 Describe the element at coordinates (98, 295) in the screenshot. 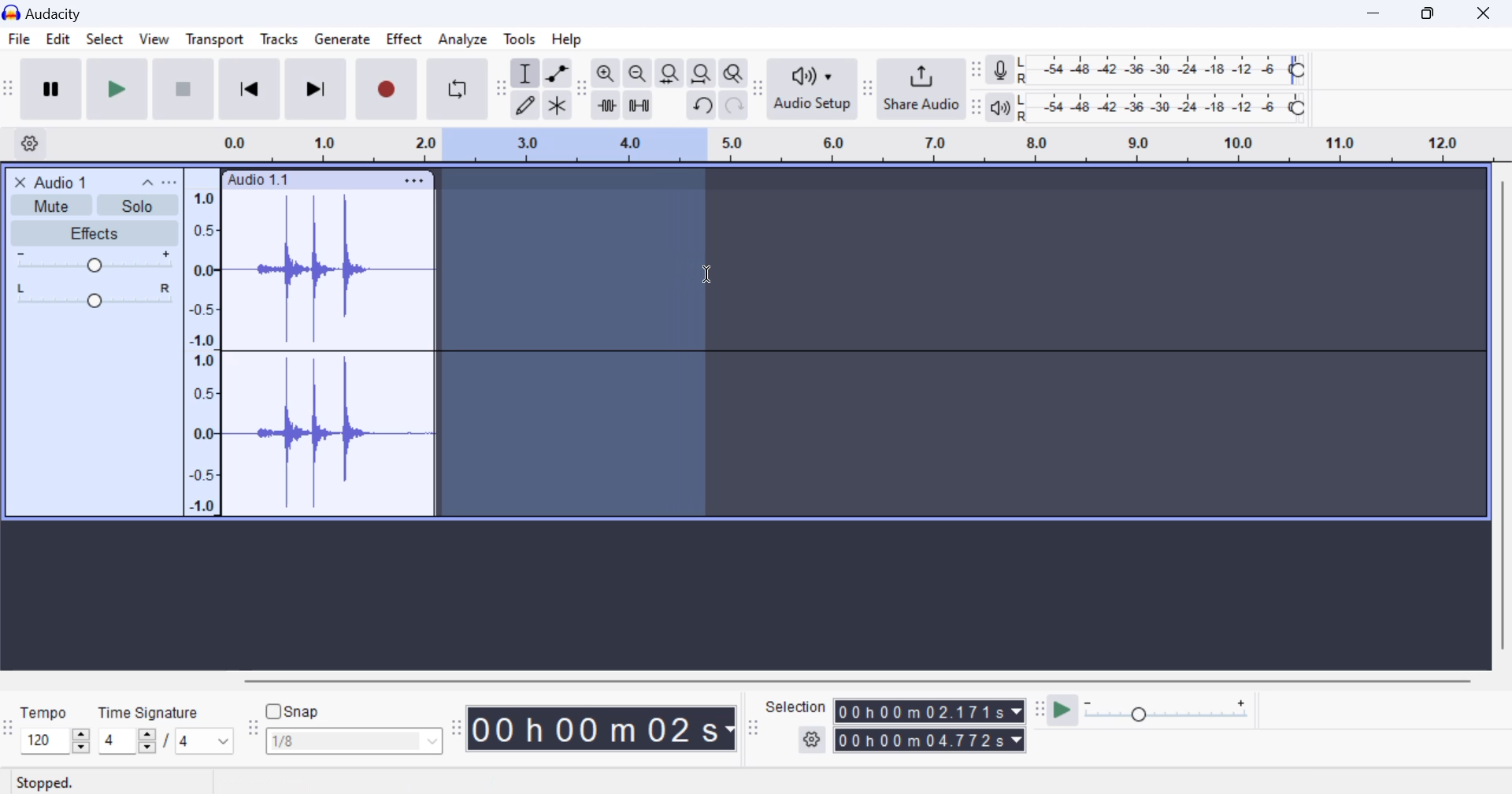

I see `Pan Center` at that location.